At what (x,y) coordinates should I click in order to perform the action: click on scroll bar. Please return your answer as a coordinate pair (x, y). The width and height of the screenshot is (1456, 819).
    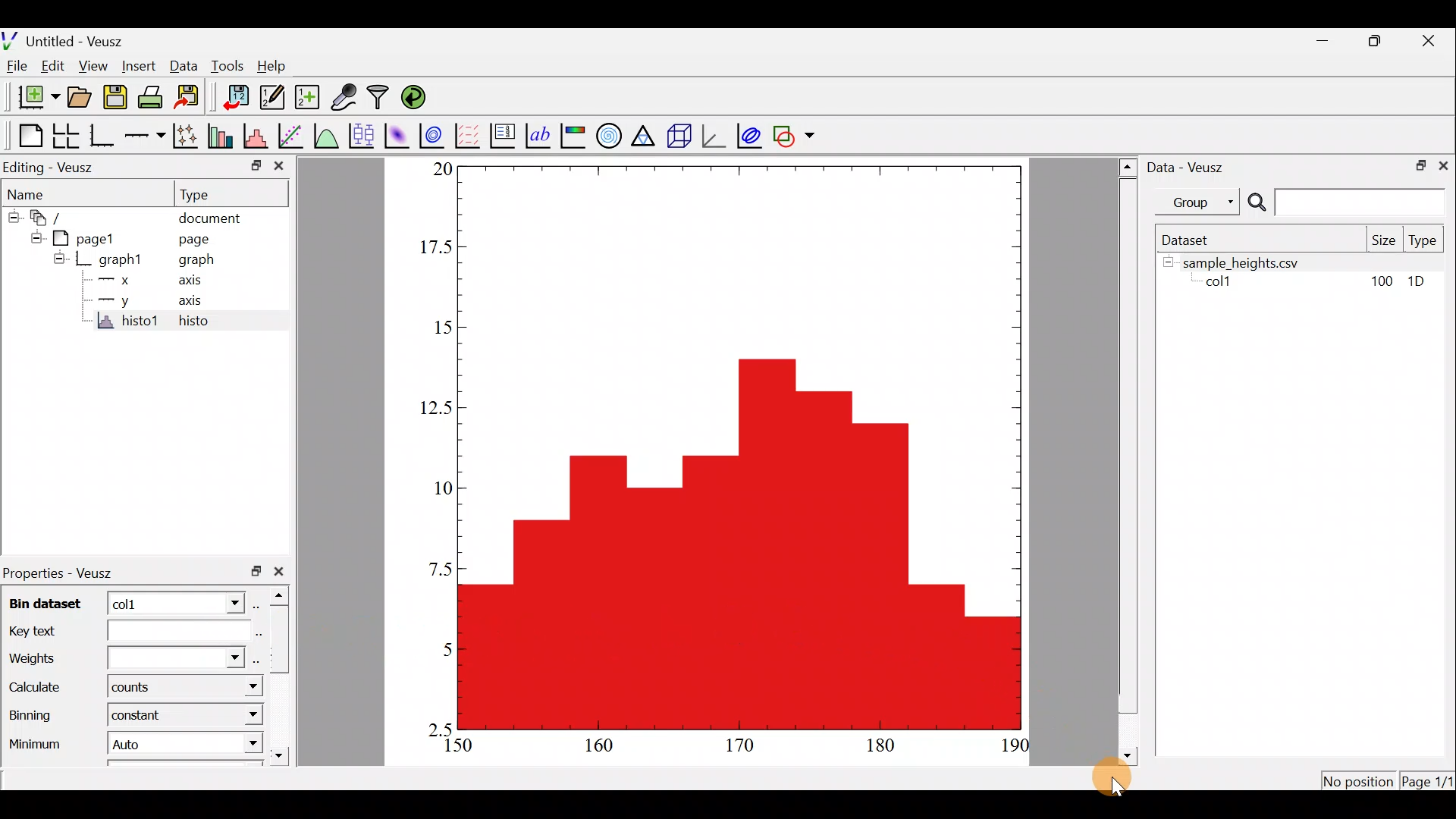
    Looking at the image, I should click on (1125, 460).